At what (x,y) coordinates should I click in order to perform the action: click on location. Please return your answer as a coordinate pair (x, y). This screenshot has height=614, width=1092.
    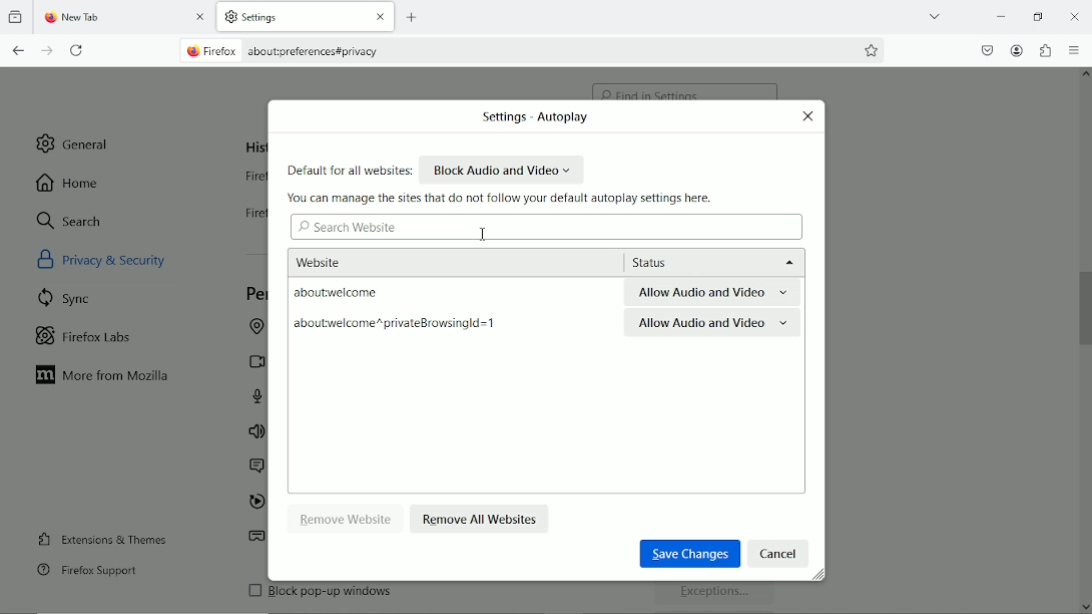
    Looking at the image, I should click on (254, 328).